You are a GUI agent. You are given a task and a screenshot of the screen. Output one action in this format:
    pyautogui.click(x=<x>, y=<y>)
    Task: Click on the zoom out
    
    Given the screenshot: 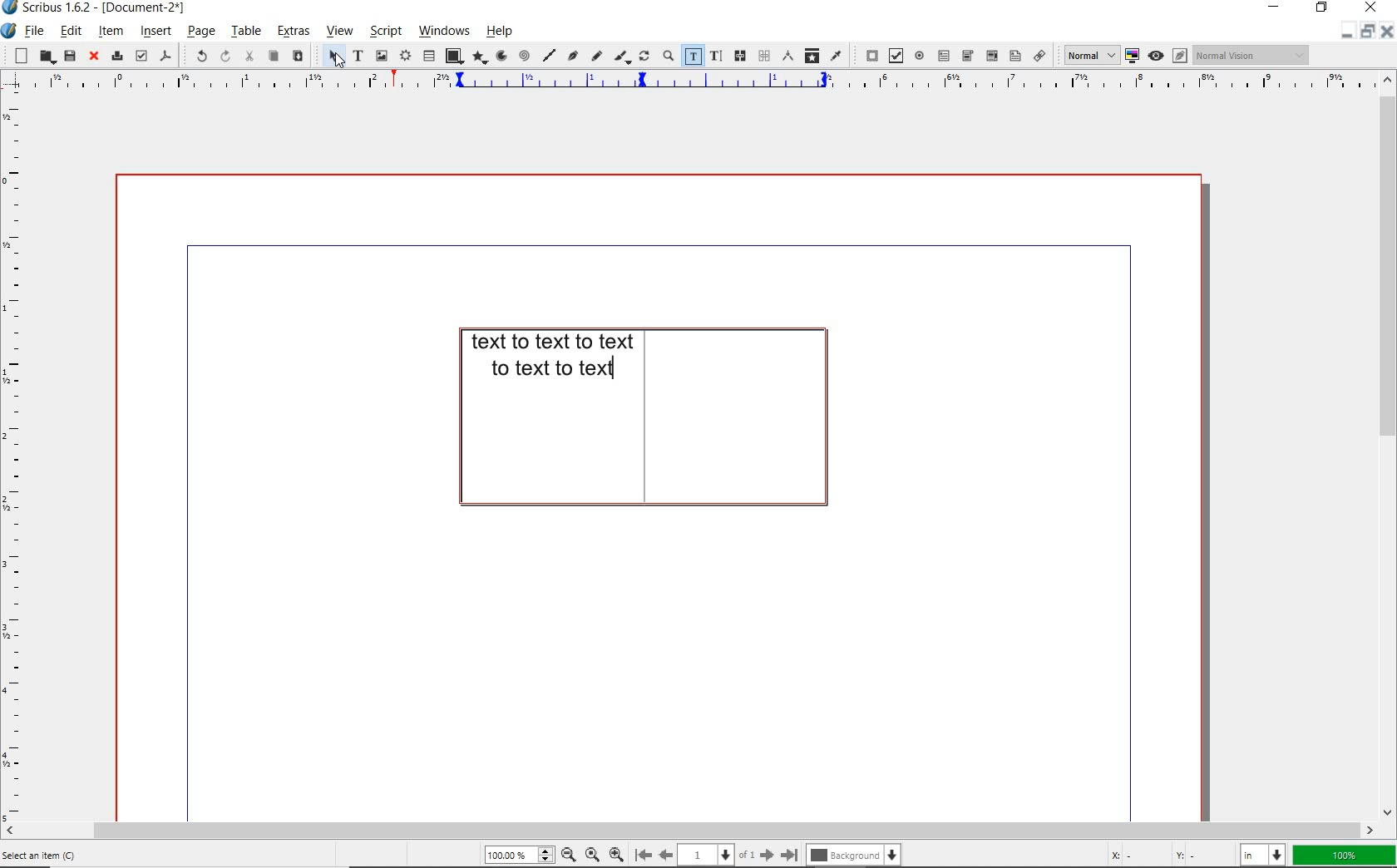 What is the action you would take?
    pyautogui.click(x=617, y=854)
    